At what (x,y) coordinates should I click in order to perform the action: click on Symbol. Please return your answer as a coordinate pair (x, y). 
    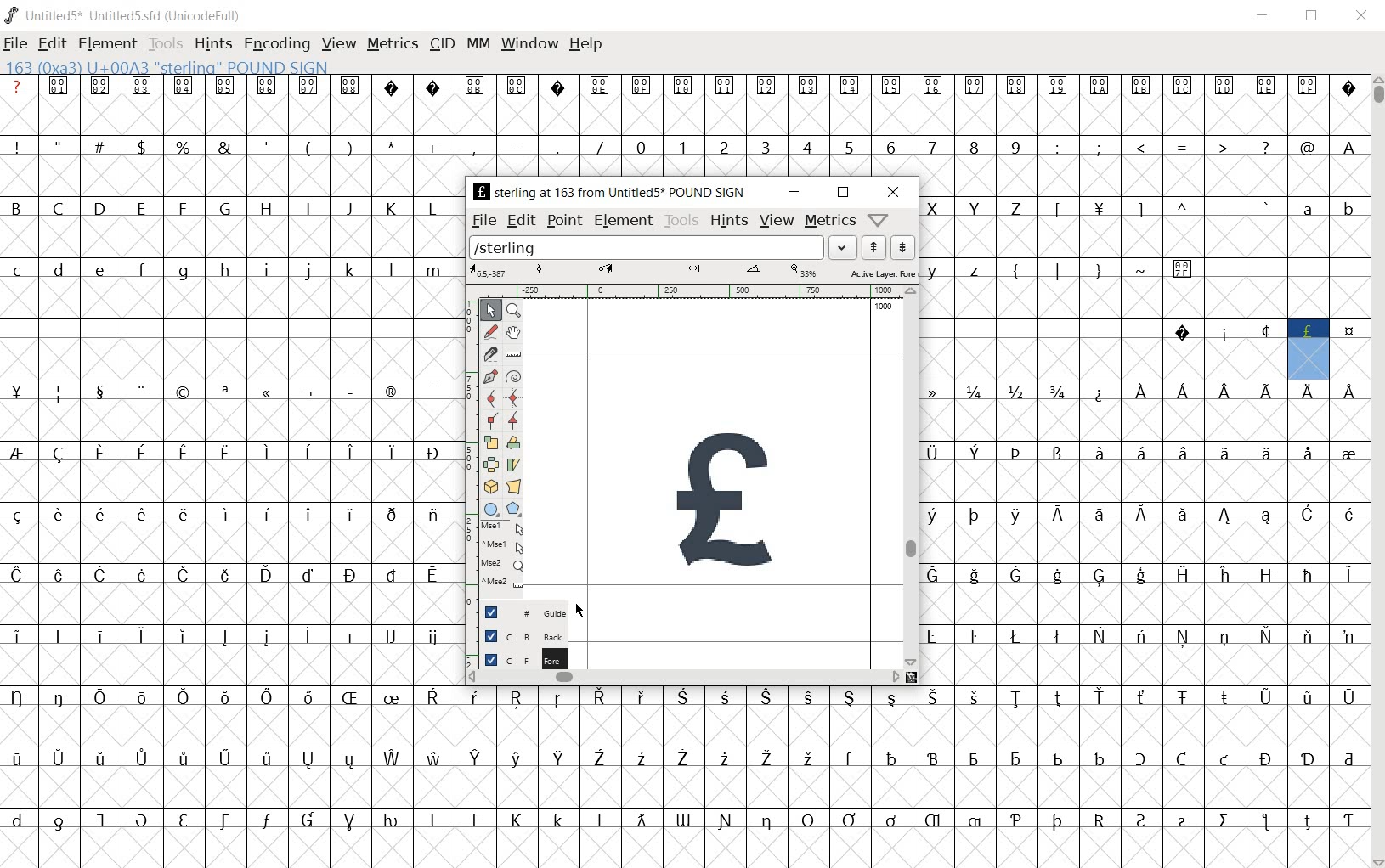
    Looking at the image, I should click on (391, 393).